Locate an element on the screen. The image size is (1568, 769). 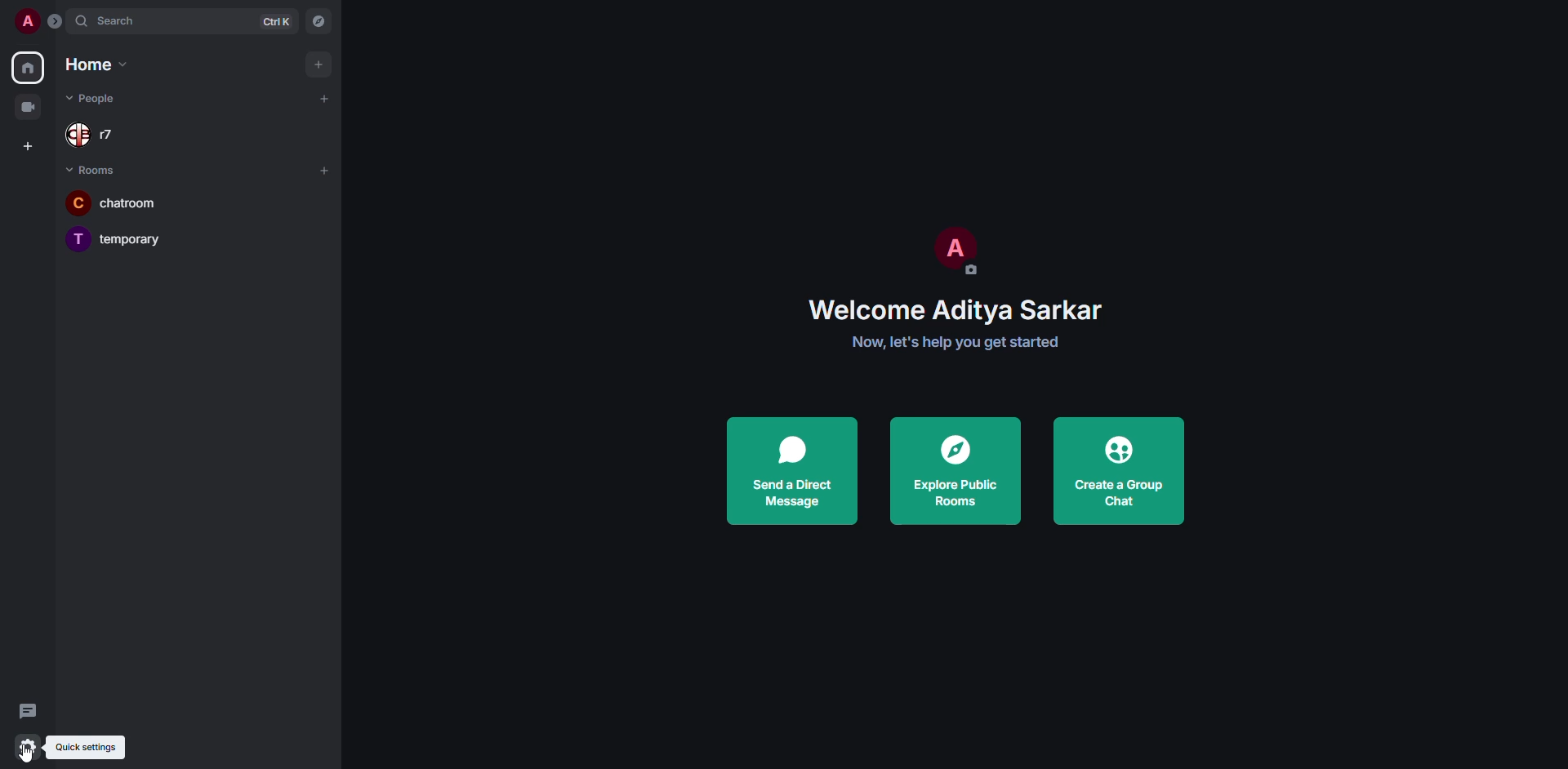
add is located at coordinates (326, 98).